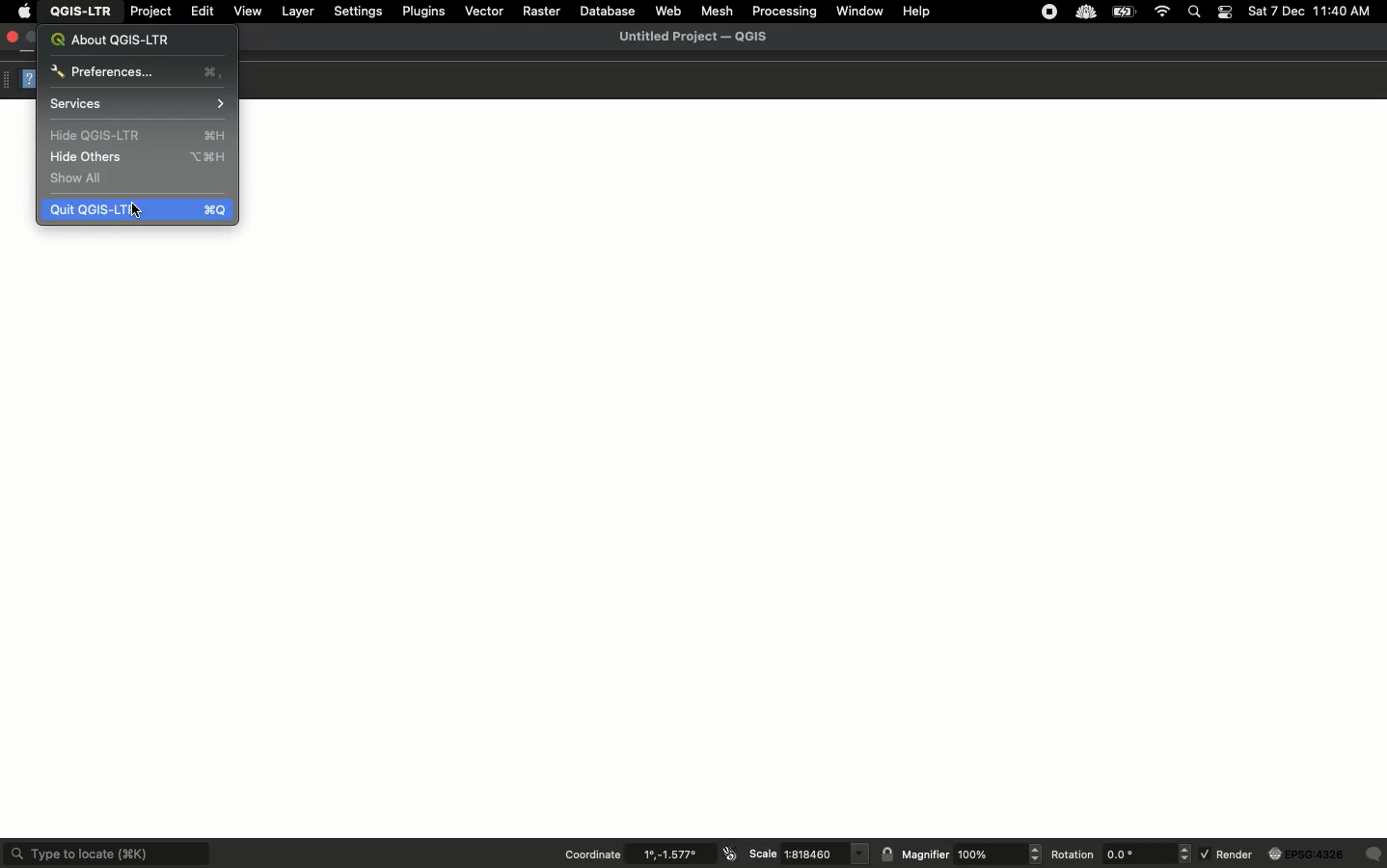 The height and width of the screenshot is (868, 1387). What do you see at coordinates (153, 12) in the screenshot?
I see `Project` at bounding box center [153, 12].